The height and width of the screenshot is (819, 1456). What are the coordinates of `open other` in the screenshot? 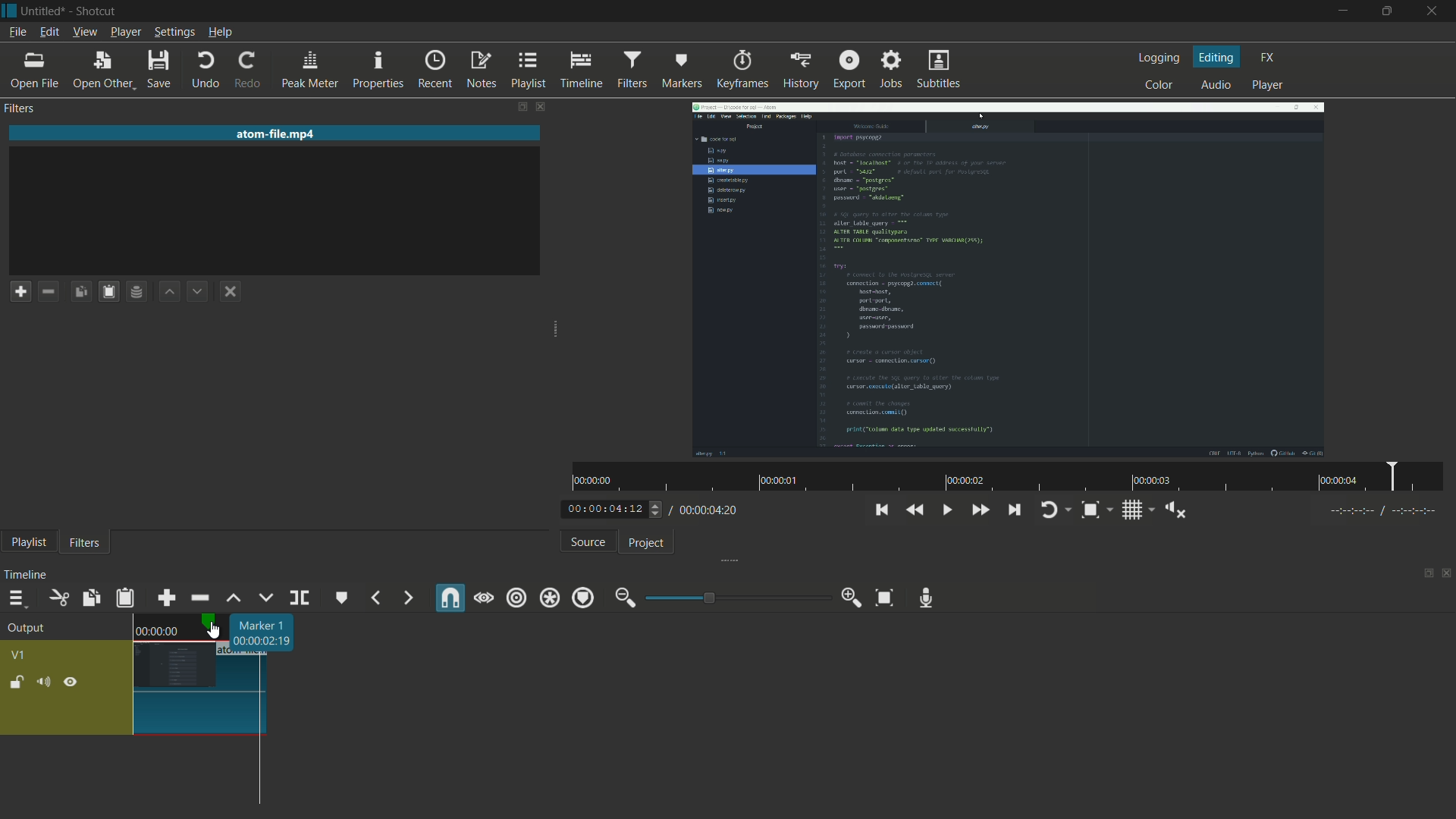 It's located at (99, 69).